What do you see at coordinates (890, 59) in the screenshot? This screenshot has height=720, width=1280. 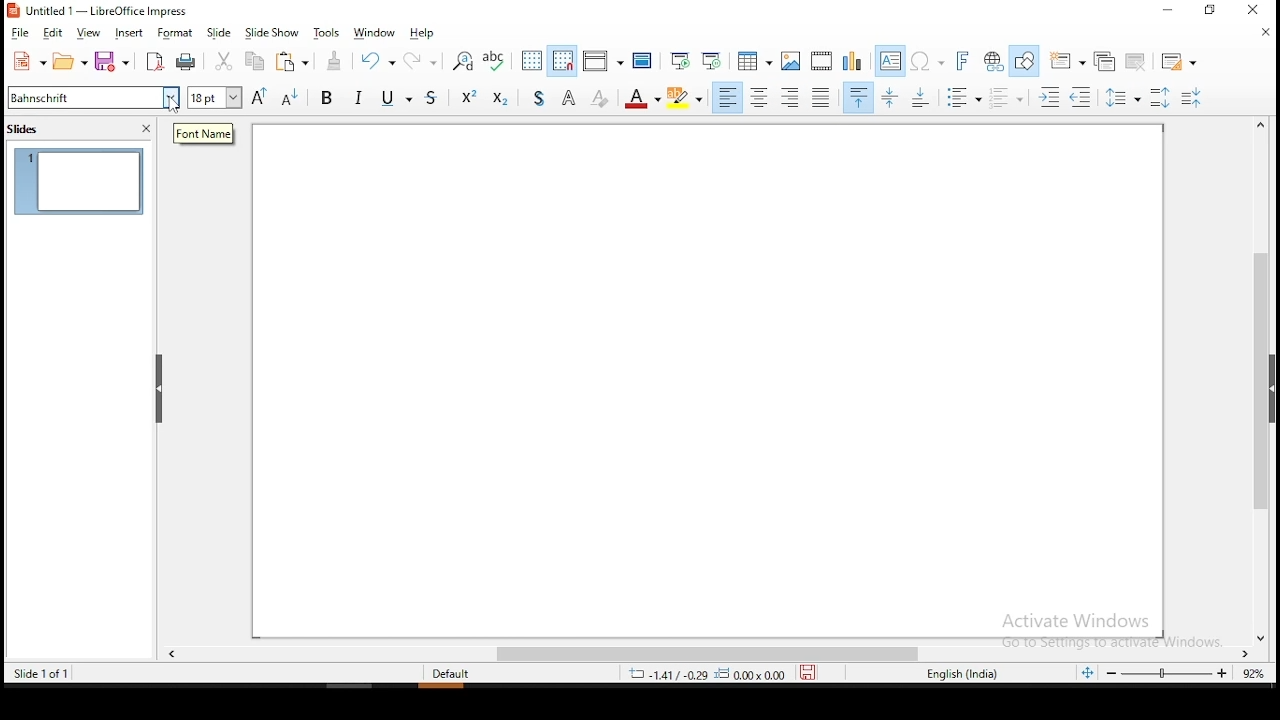 I see `text box` at bounding box center [890, 59].